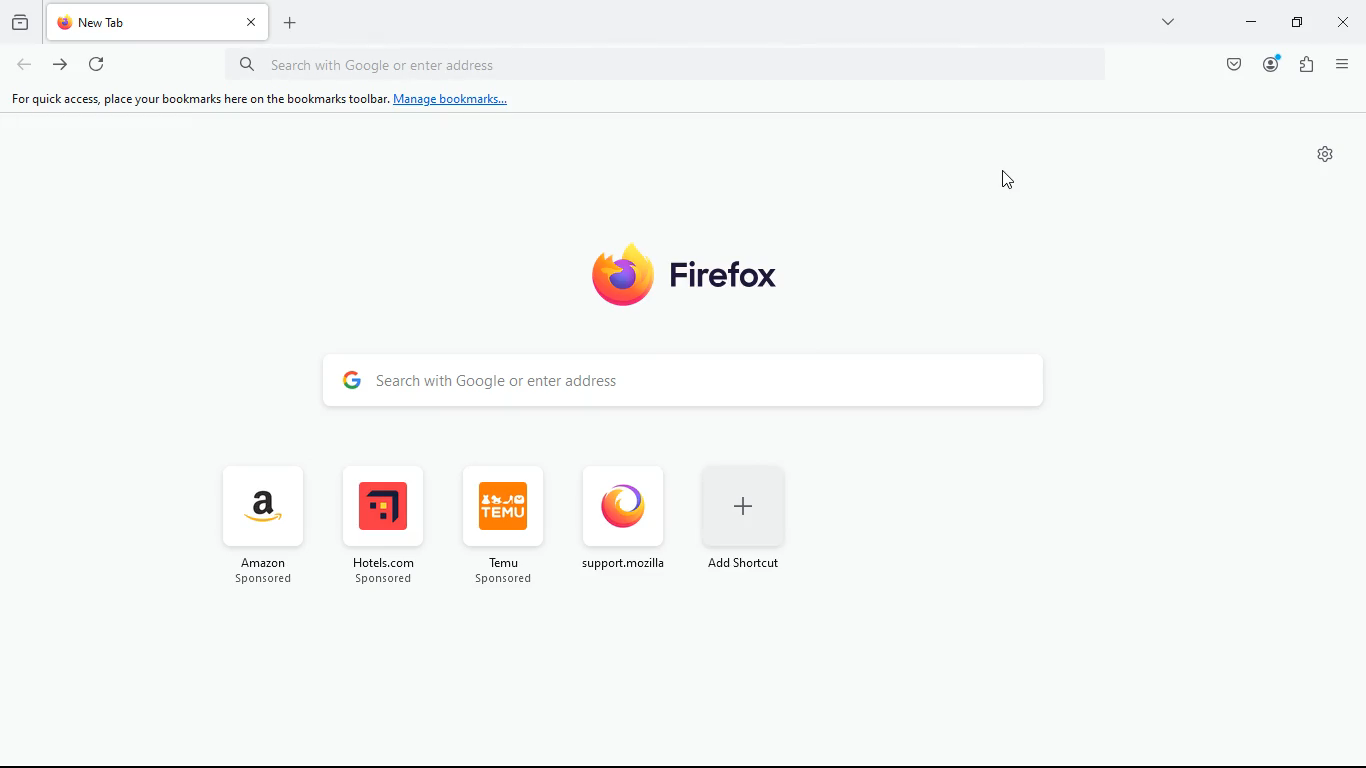 The image size is (1366, 768). What do you see at coordinates (24, 66) in the screenshot?
I see `back` at bounding box center [24, 66].